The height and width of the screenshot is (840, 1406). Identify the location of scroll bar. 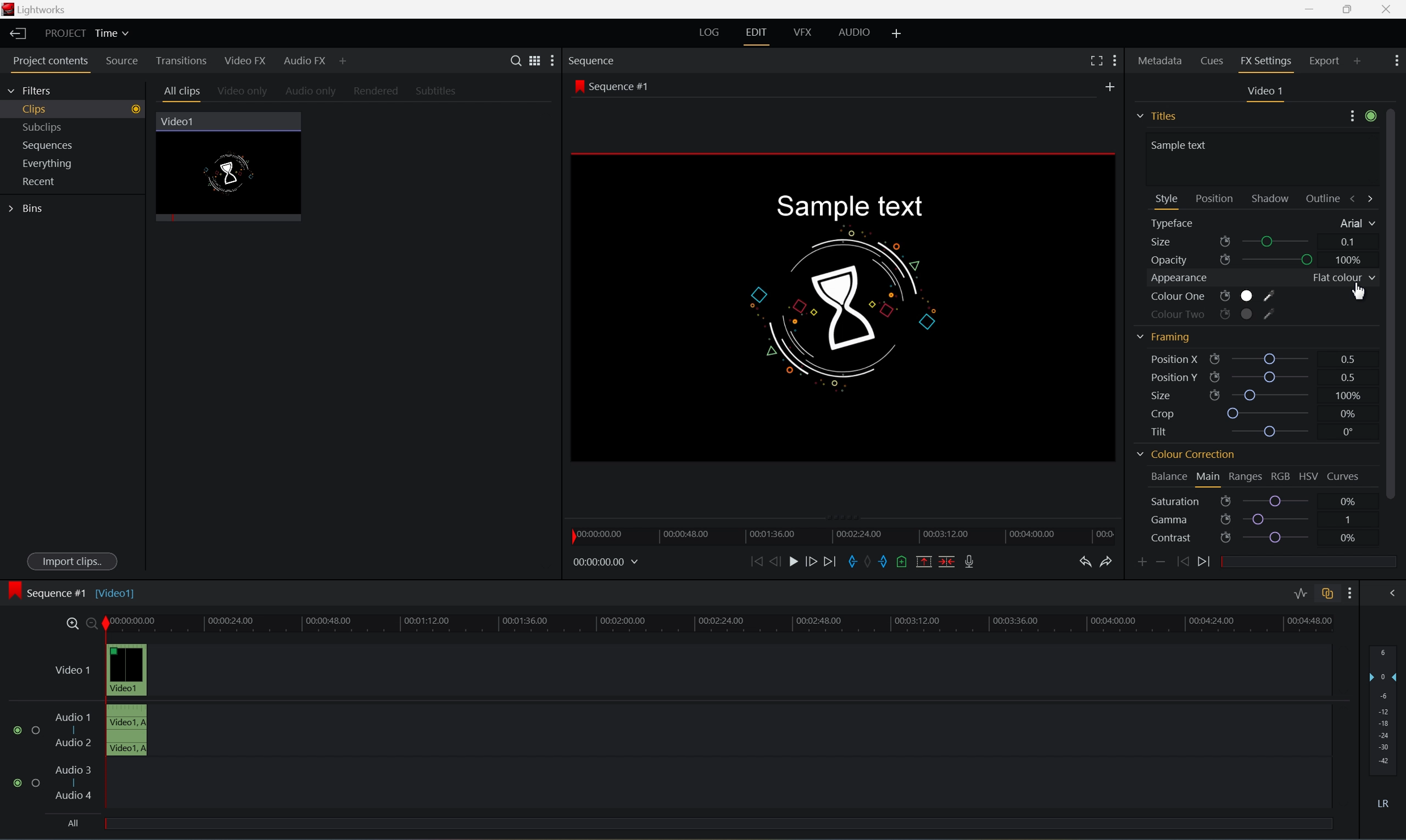
(1397, 302).